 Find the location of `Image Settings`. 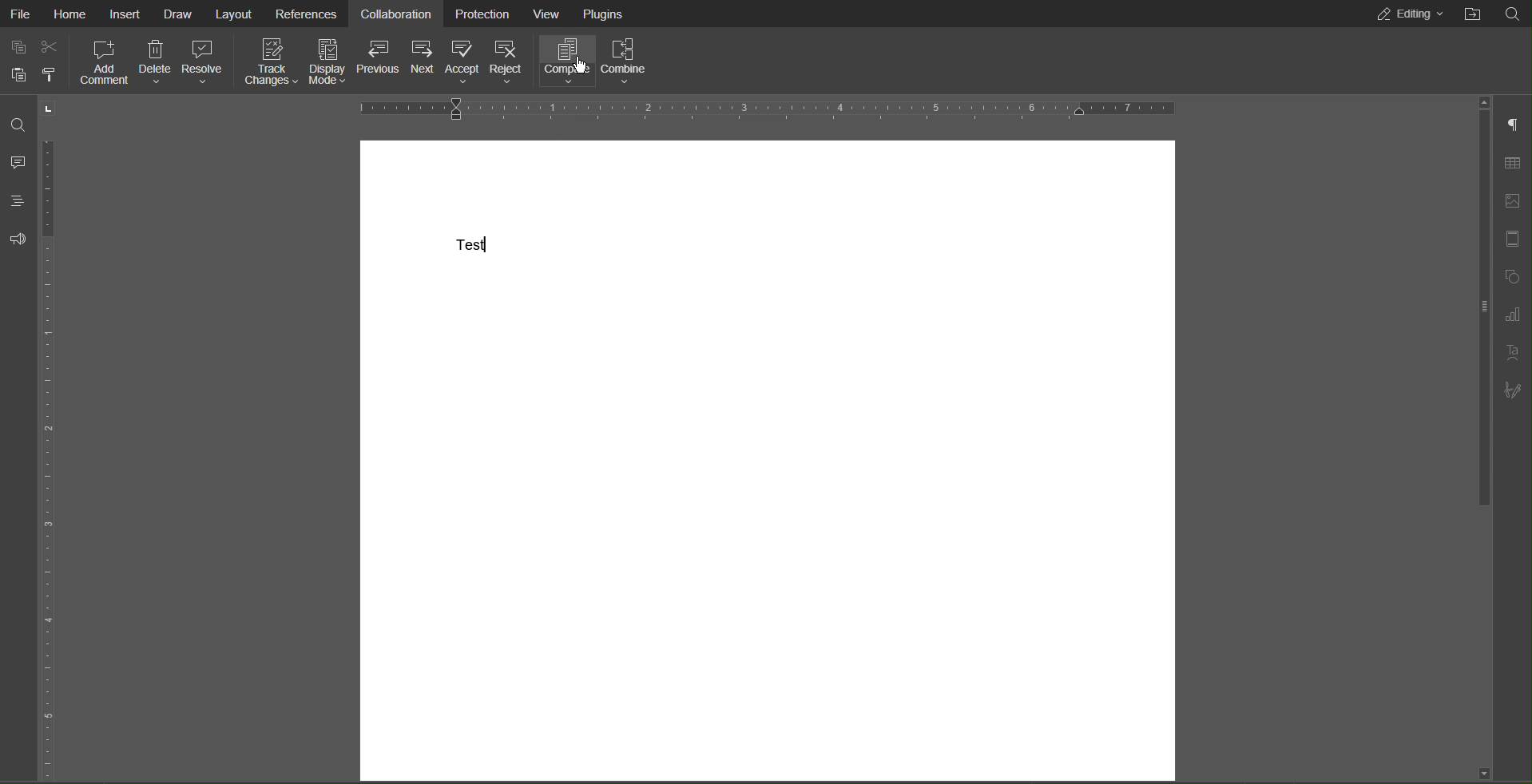

Image Settings is located at coordinates (1512, 200).